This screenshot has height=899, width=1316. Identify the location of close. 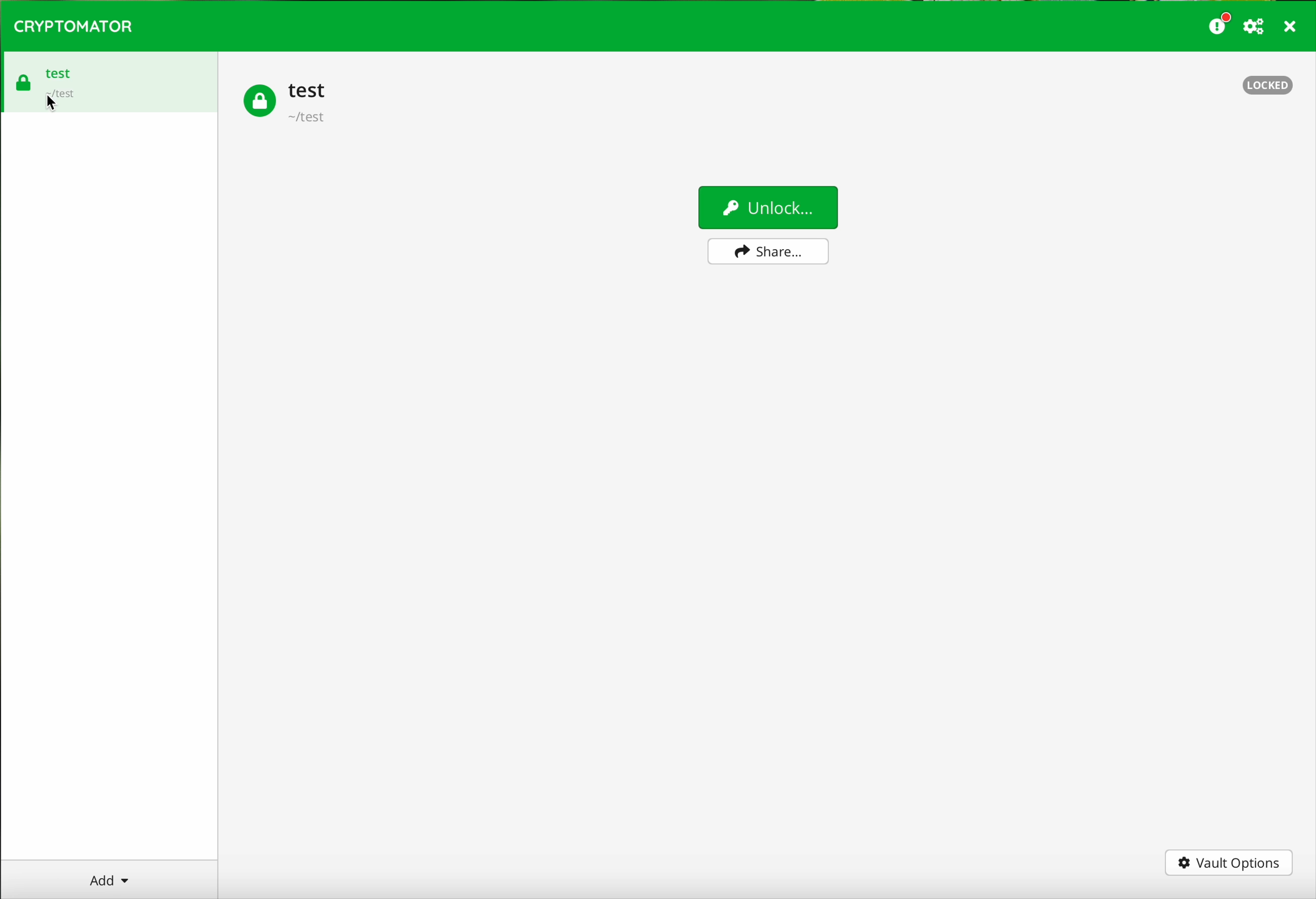
(1291, 28).